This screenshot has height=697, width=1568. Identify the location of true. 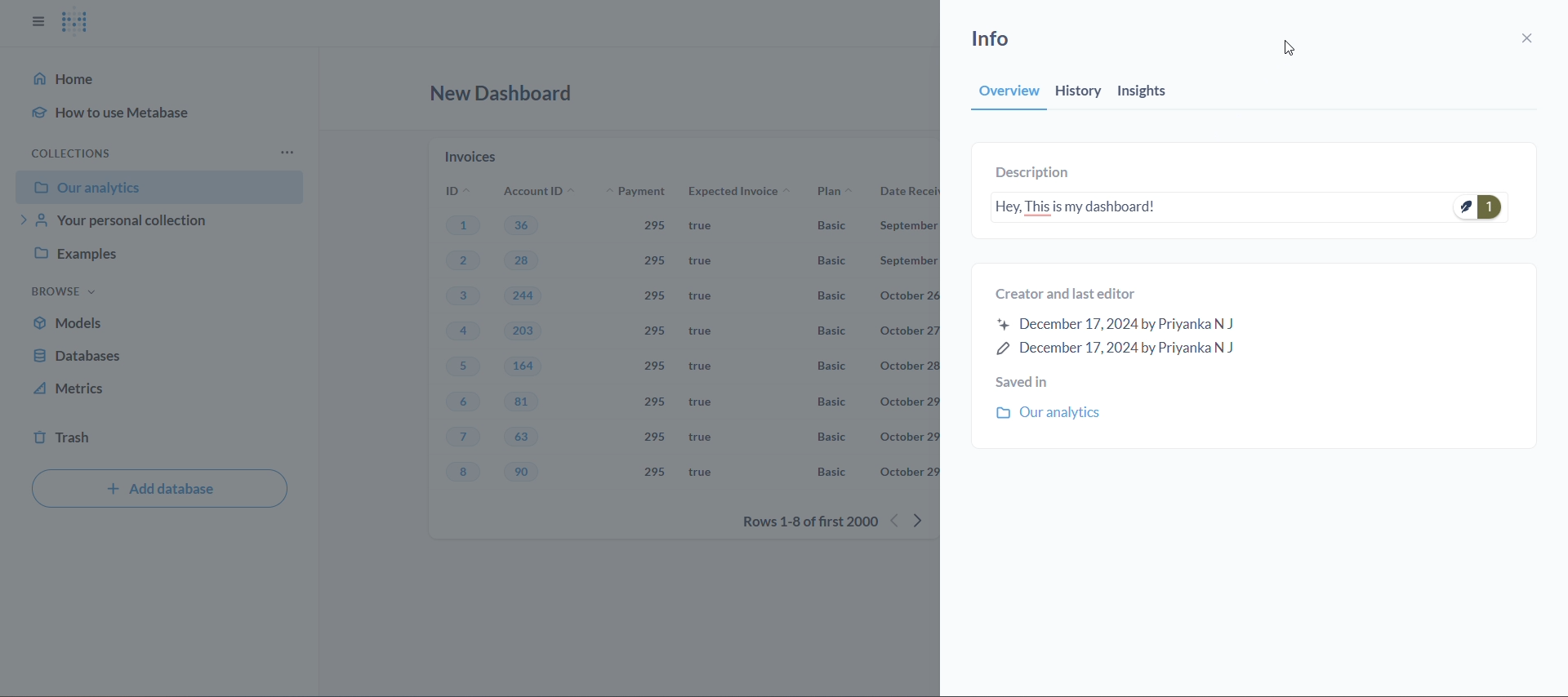
(703, 367).